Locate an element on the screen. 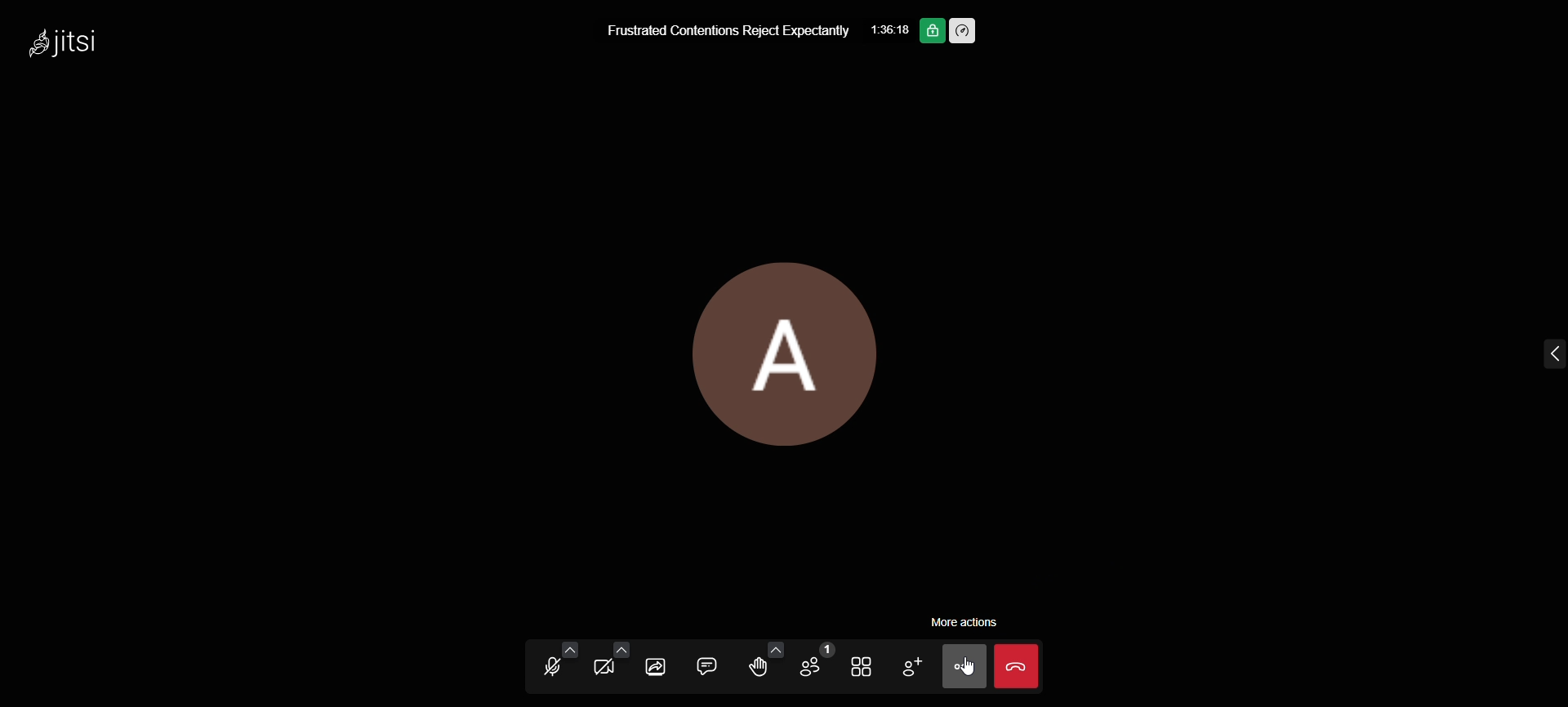 The height and width of the screenshot is (707, 1568). video setting is located at coordinates (623, 647).